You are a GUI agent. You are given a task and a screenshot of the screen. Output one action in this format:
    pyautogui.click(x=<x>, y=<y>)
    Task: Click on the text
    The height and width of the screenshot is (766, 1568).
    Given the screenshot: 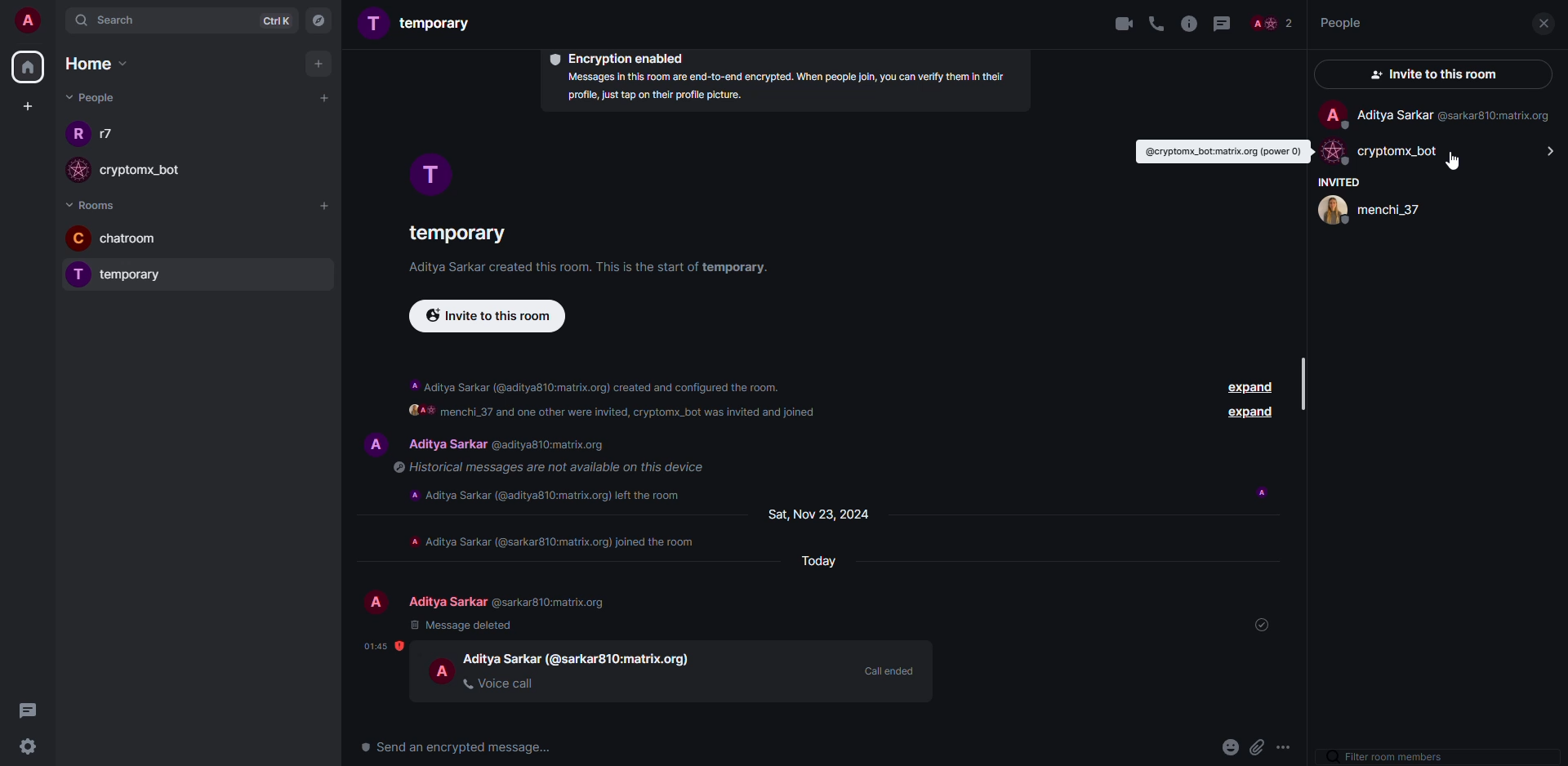 What is the action you would take?
    pyautogui.click(x=616, y=414)
    